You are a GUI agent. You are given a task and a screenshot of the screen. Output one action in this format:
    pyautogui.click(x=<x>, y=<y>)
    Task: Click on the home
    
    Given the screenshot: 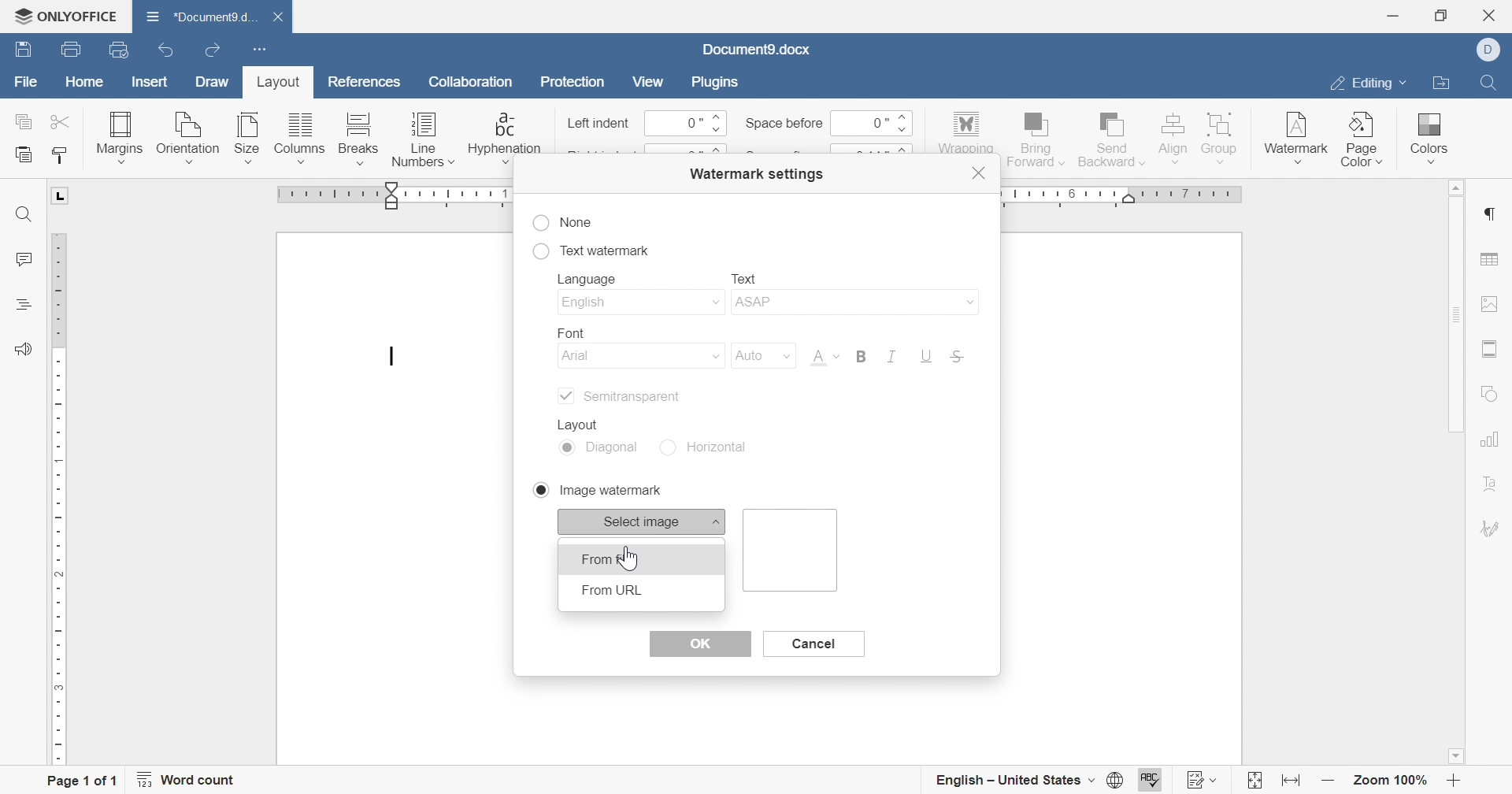 What is the action you would take?
    pyautogui.click(x=85, y=84)
    